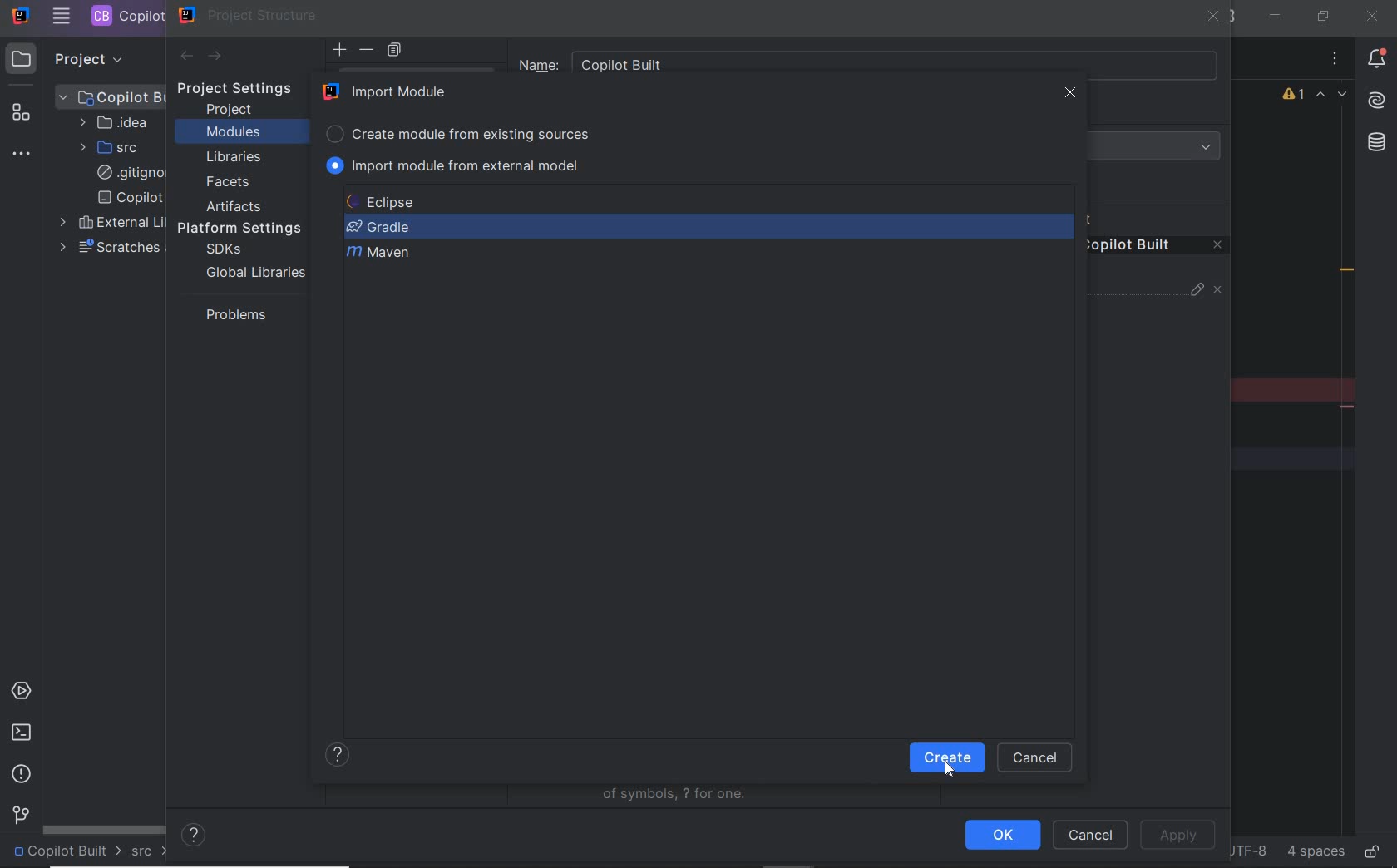  Describe the element at coordinates (378, 227) in the screenshot. I see `GRADLE` at that location.